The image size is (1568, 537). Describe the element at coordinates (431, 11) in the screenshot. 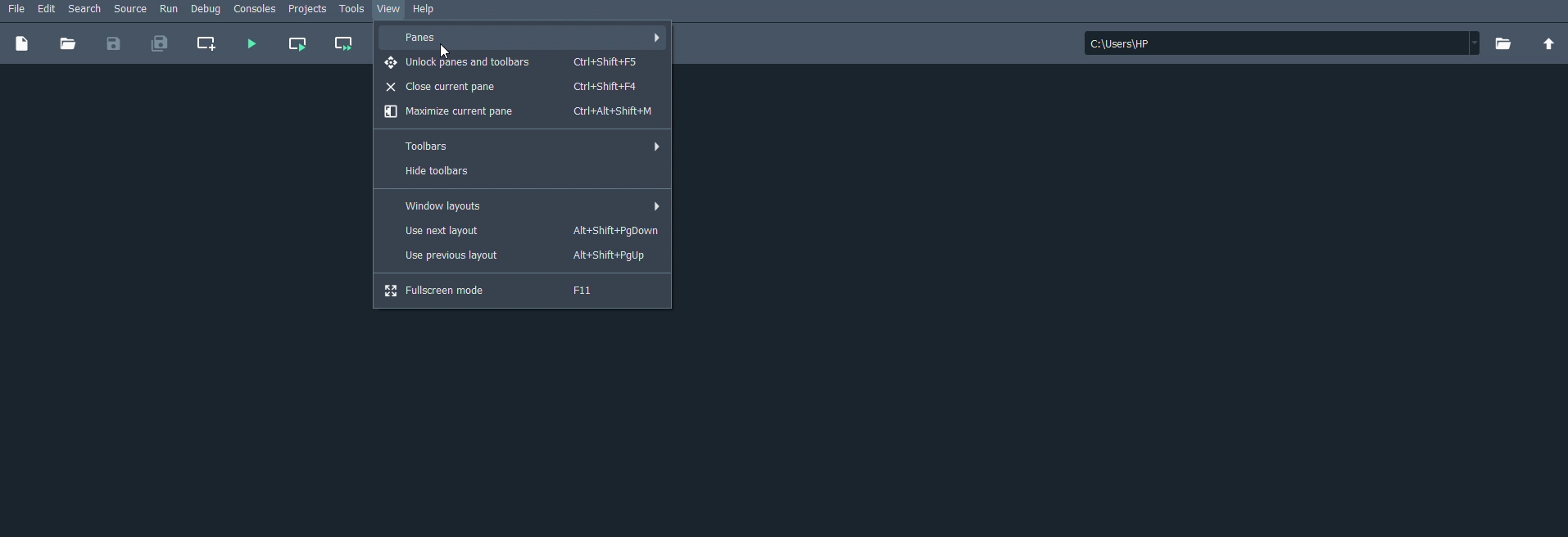

I see `Help` at that location.